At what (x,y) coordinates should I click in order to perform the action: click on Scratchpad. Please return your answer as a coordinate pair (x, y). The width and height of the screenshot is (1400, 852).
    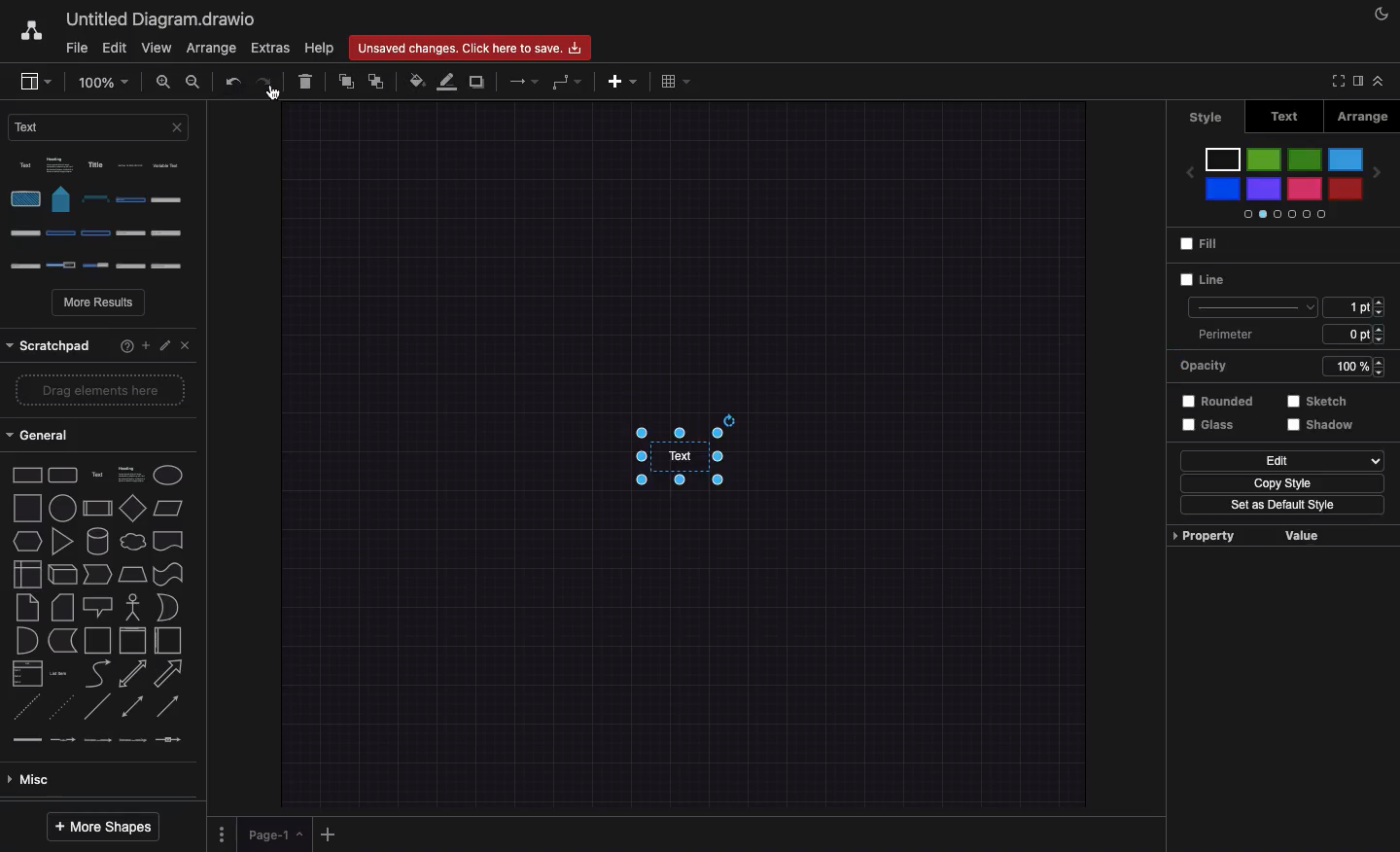
    Looking at the image, I should click on (50, 343).